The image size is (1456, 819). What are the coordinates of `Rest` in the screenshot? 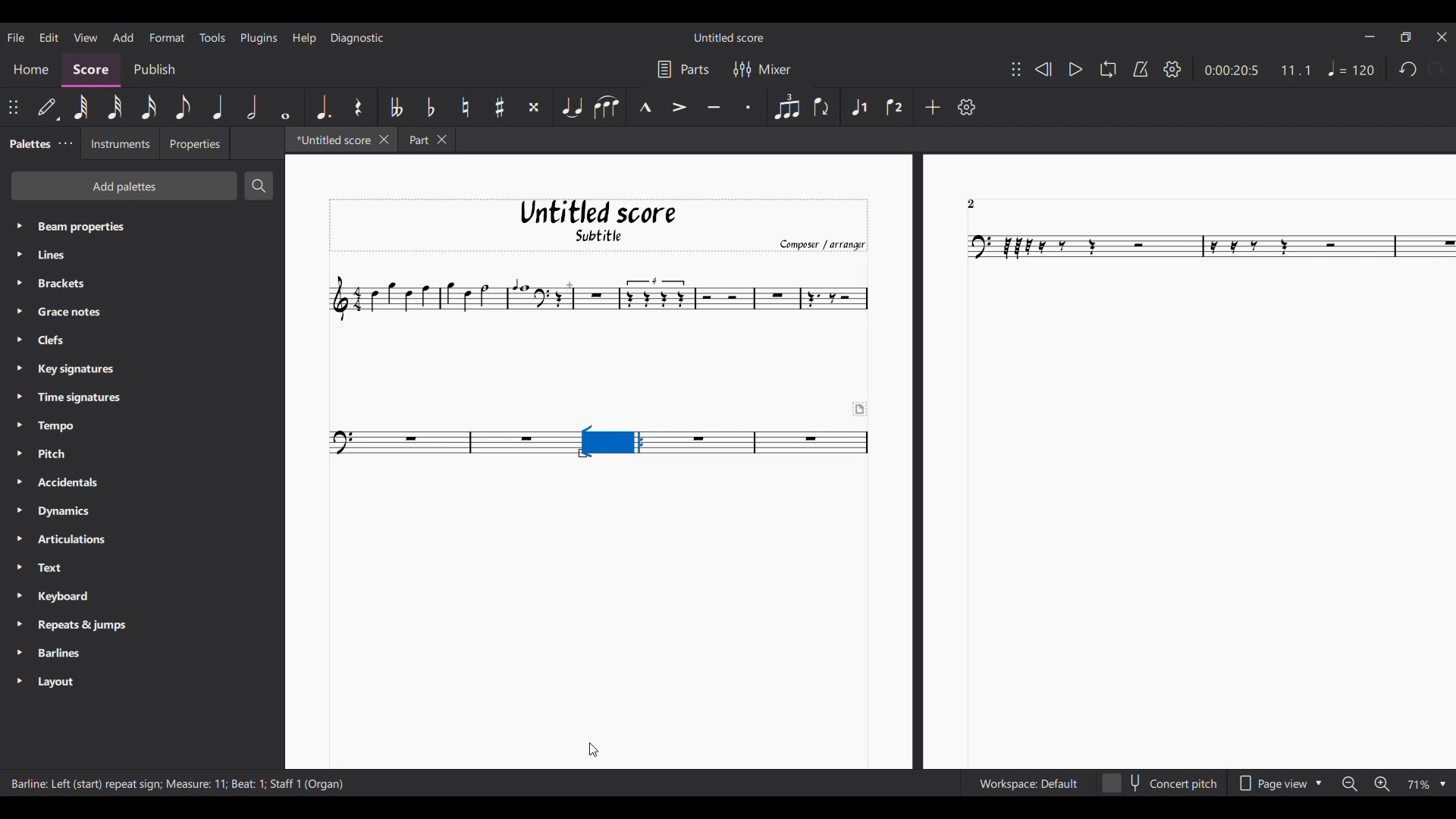 It's located at (359, 108).